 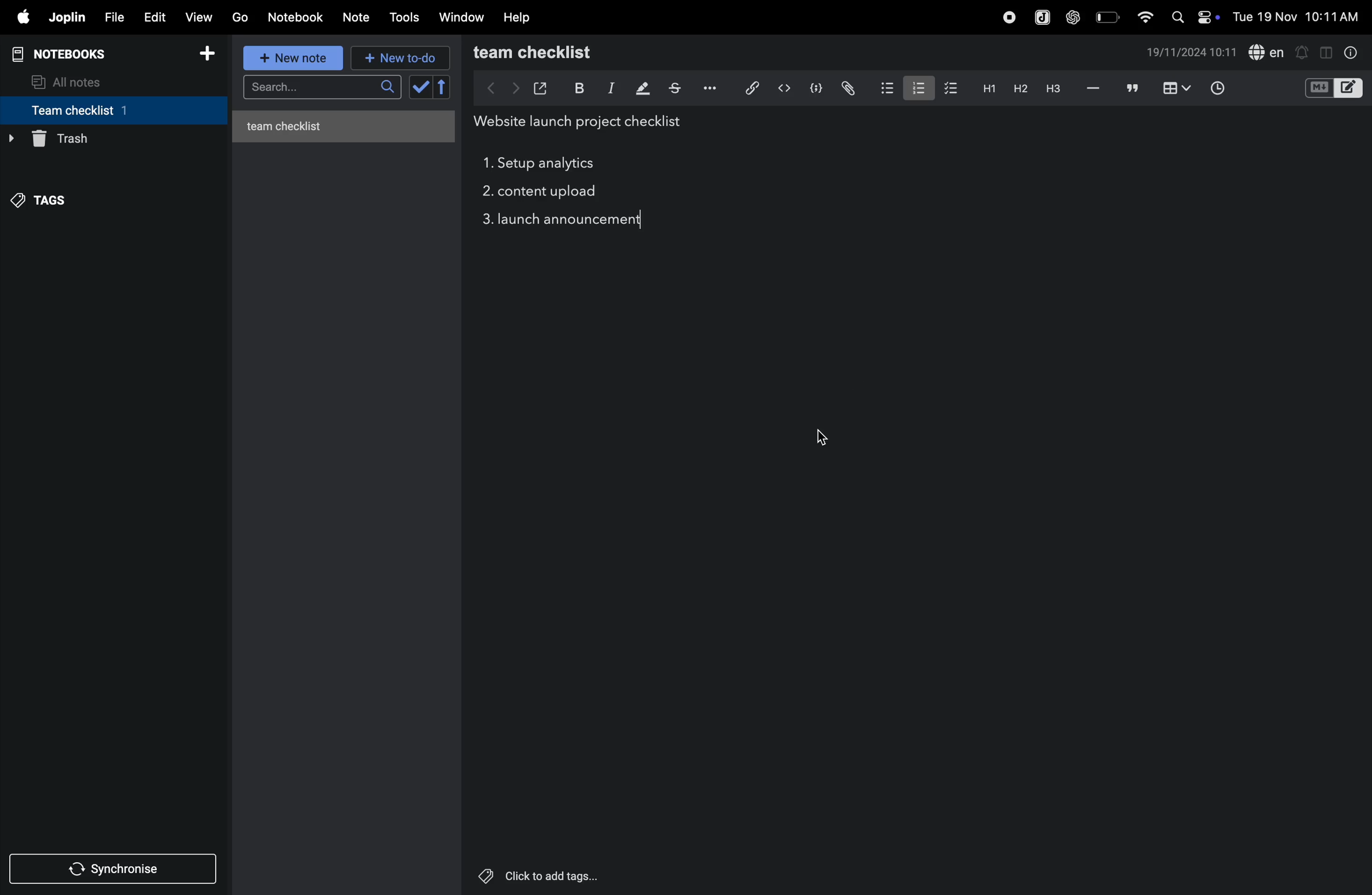 I want to click on battery, so click(x=1106, y=17).